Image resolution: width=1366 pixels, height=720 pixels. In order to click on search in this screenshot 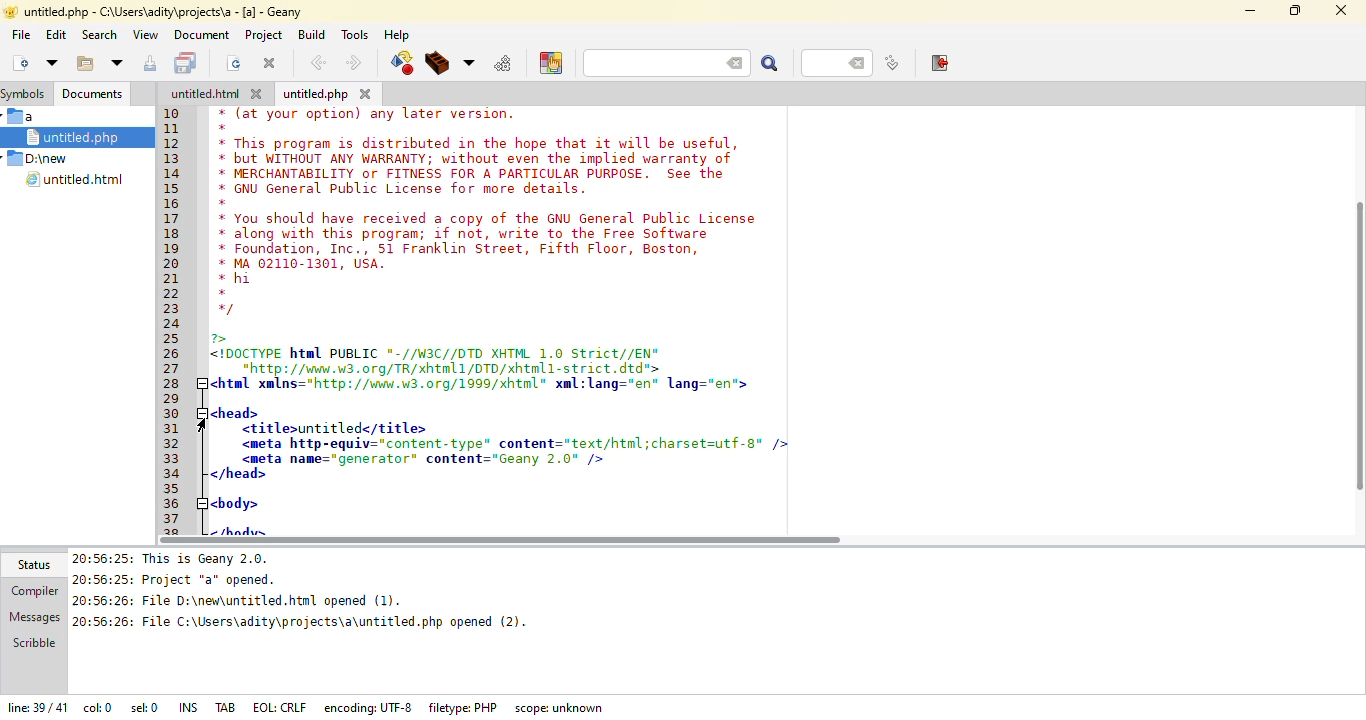, I will do `click(646, 64)`.